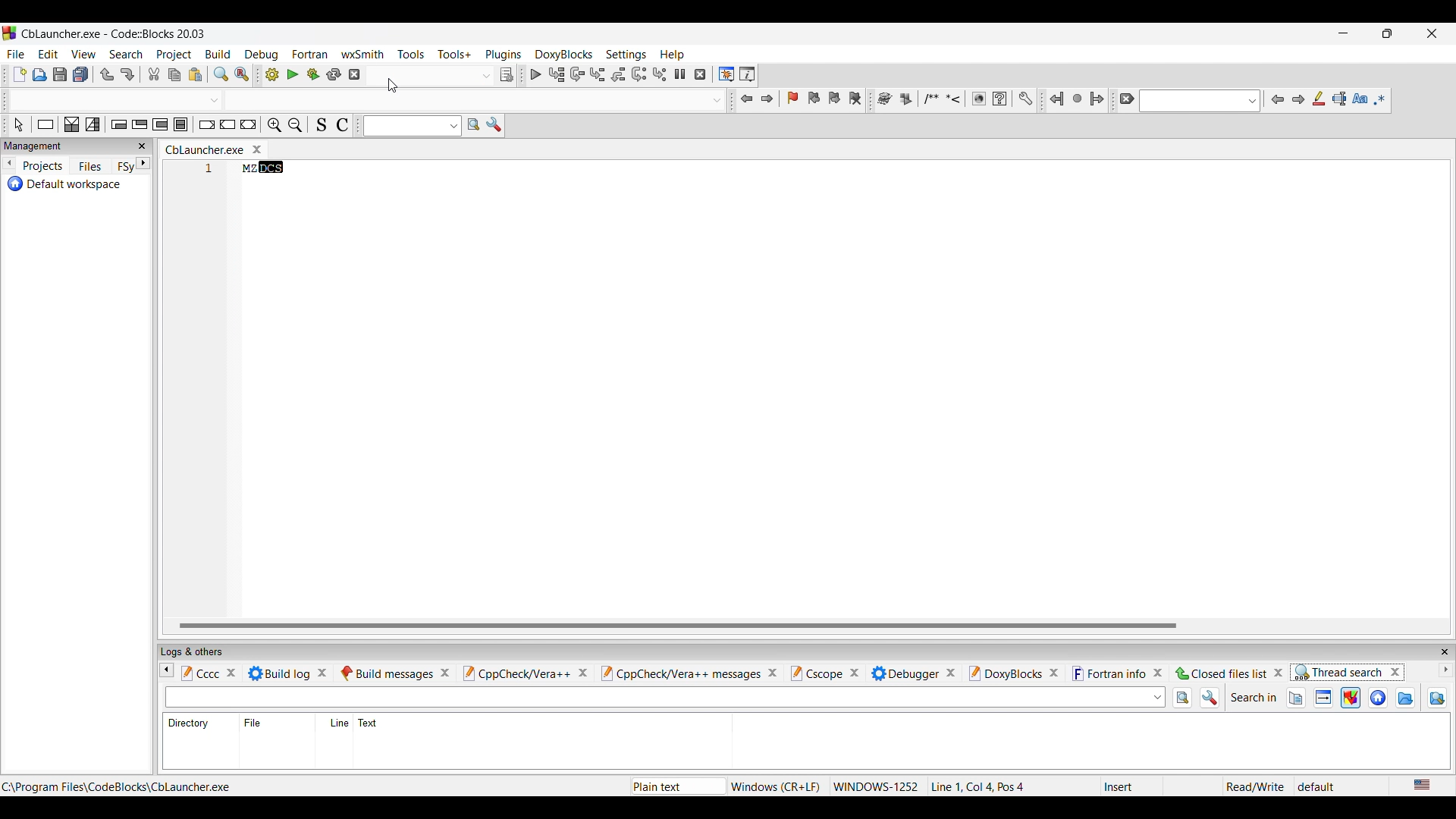 This screenshot has height=819, width=1456. What do you see at coordinates (231, 673) in the screenshot?
I see `Close tab` at bounding box center [231, 673].